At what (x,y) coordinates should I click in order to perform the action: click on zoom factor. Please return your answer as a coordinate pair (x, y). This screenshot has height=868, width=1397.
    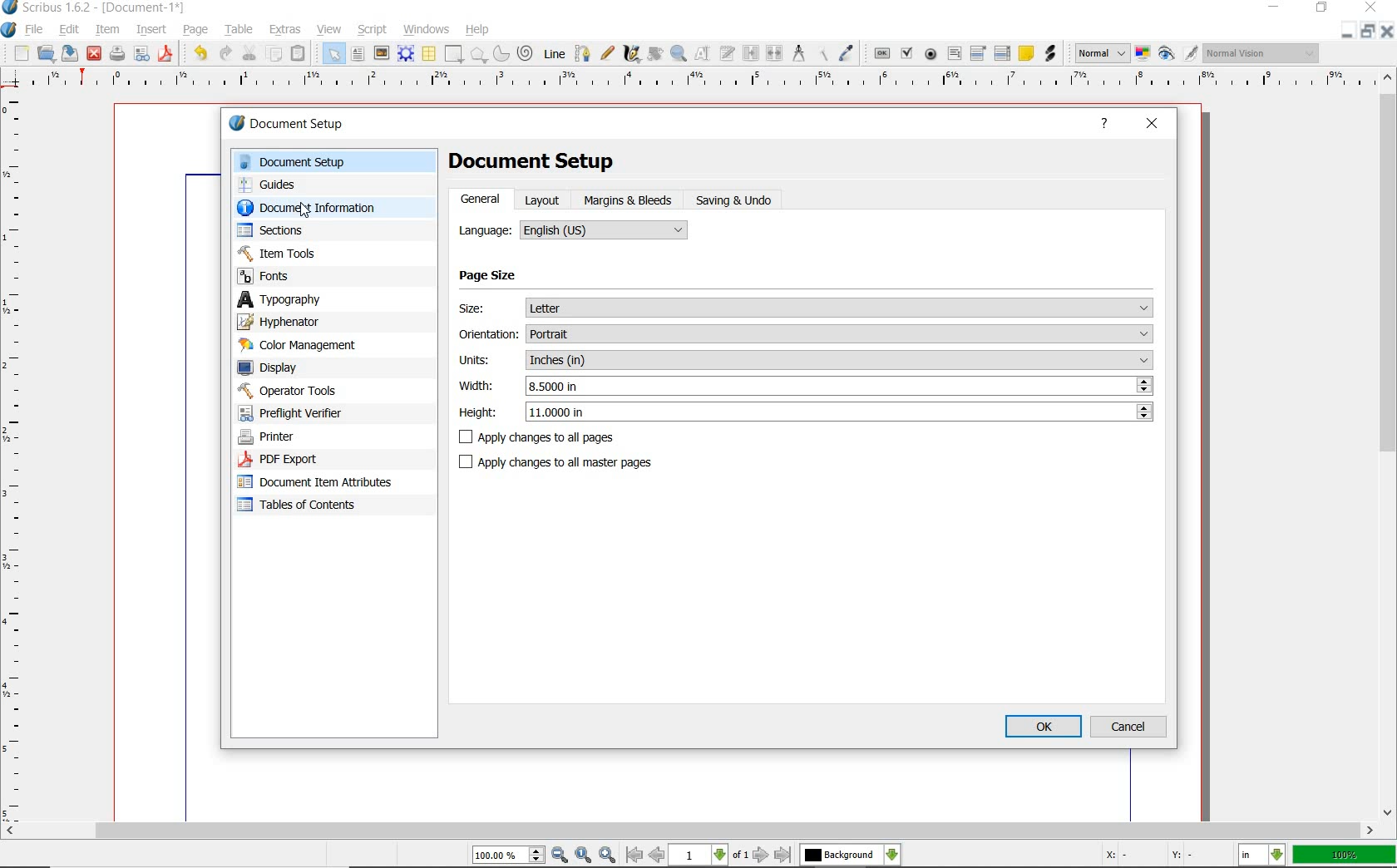
    Looking at the image, I should click on (1343, 856).